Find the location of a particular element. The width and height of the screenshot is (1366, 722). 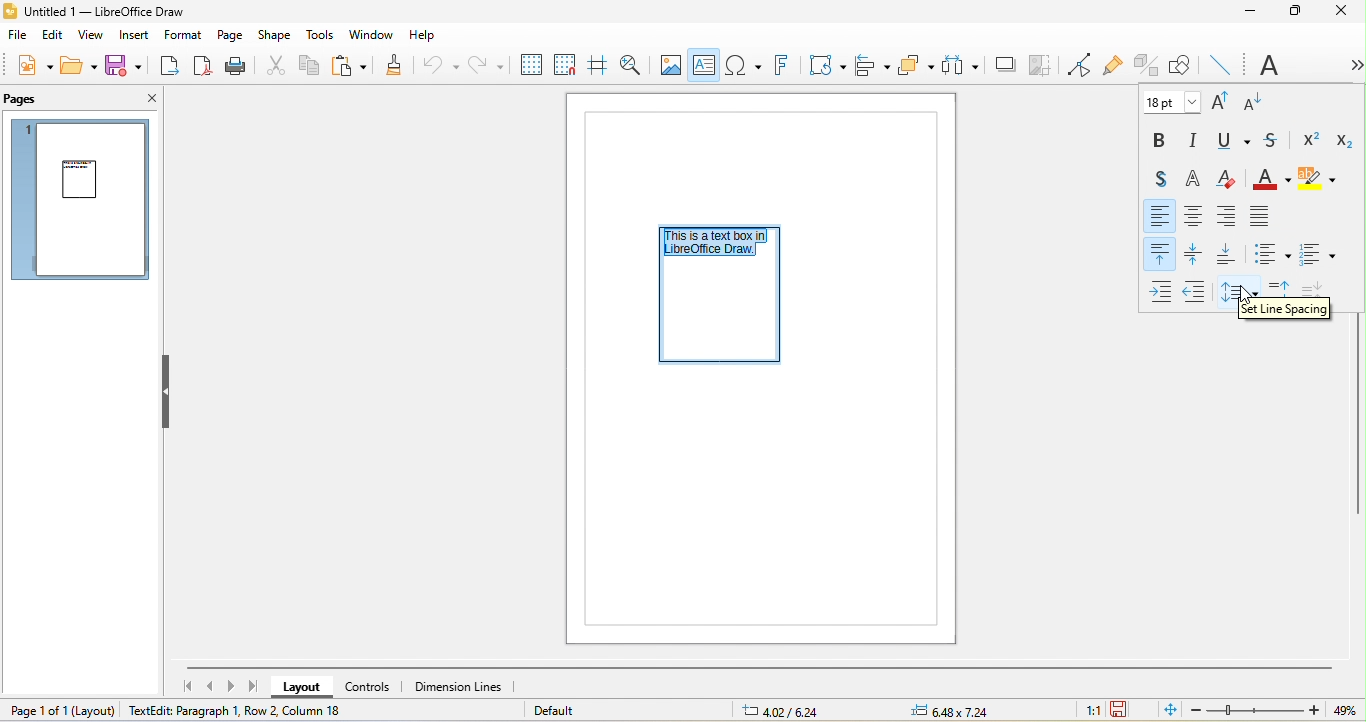

page 1 is located at coordinates (84, 202).